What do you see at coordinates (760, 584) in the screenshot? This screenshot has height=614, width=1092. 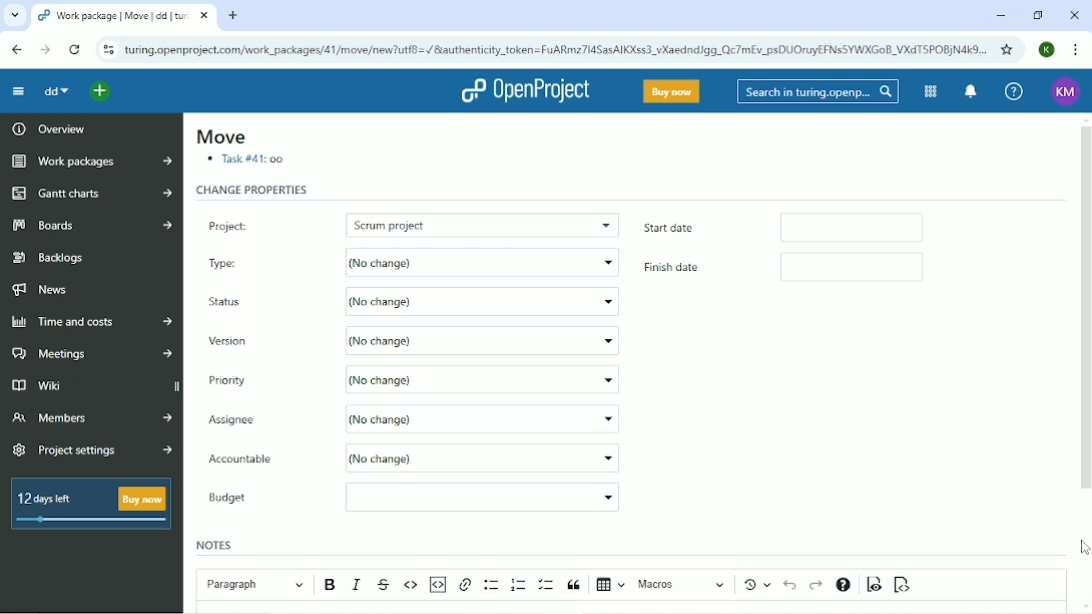 I see `Show local modifications` at bounding box center [760, 584].